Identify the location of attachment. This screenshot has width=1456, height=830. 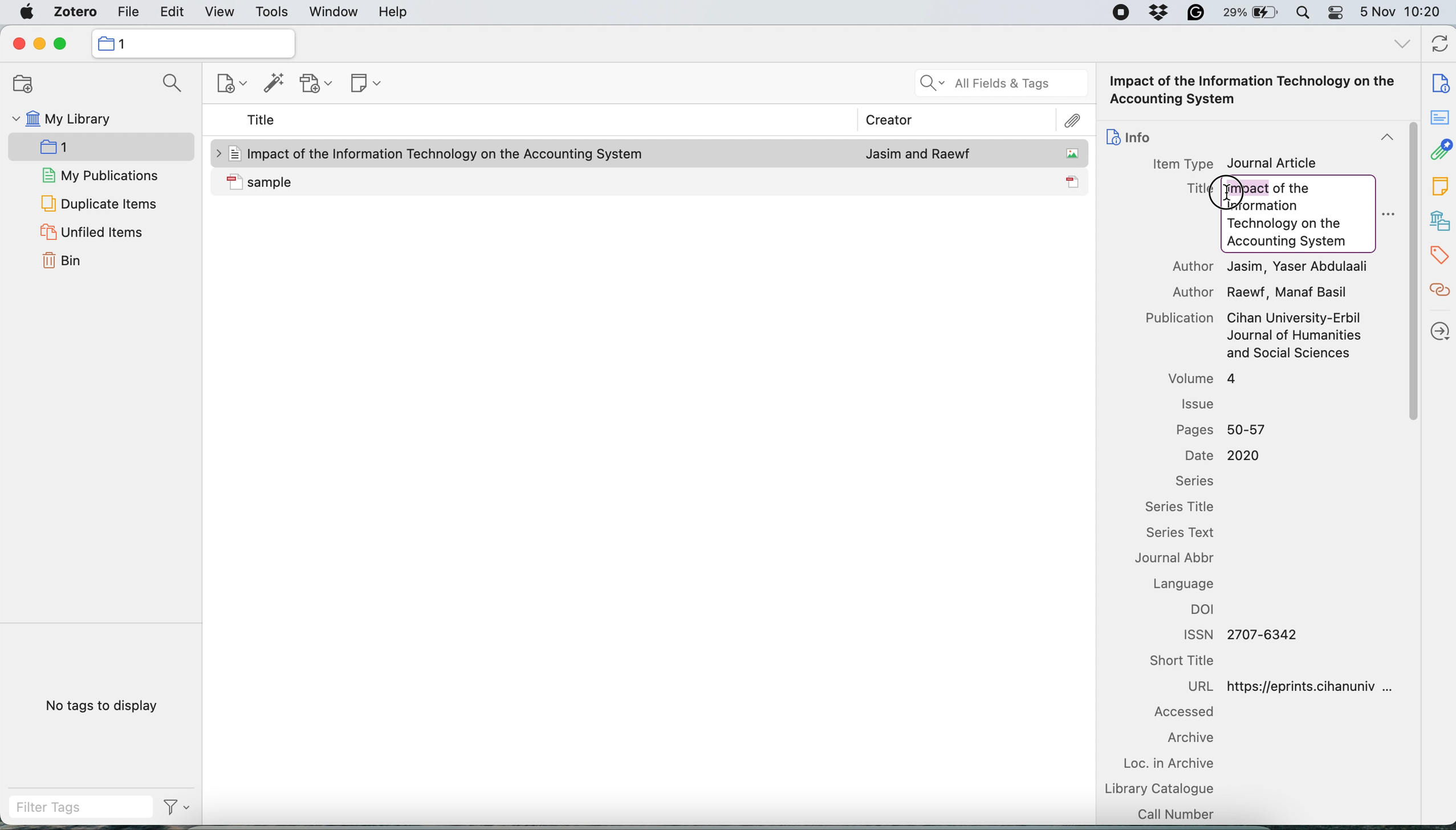
(1072, 121).